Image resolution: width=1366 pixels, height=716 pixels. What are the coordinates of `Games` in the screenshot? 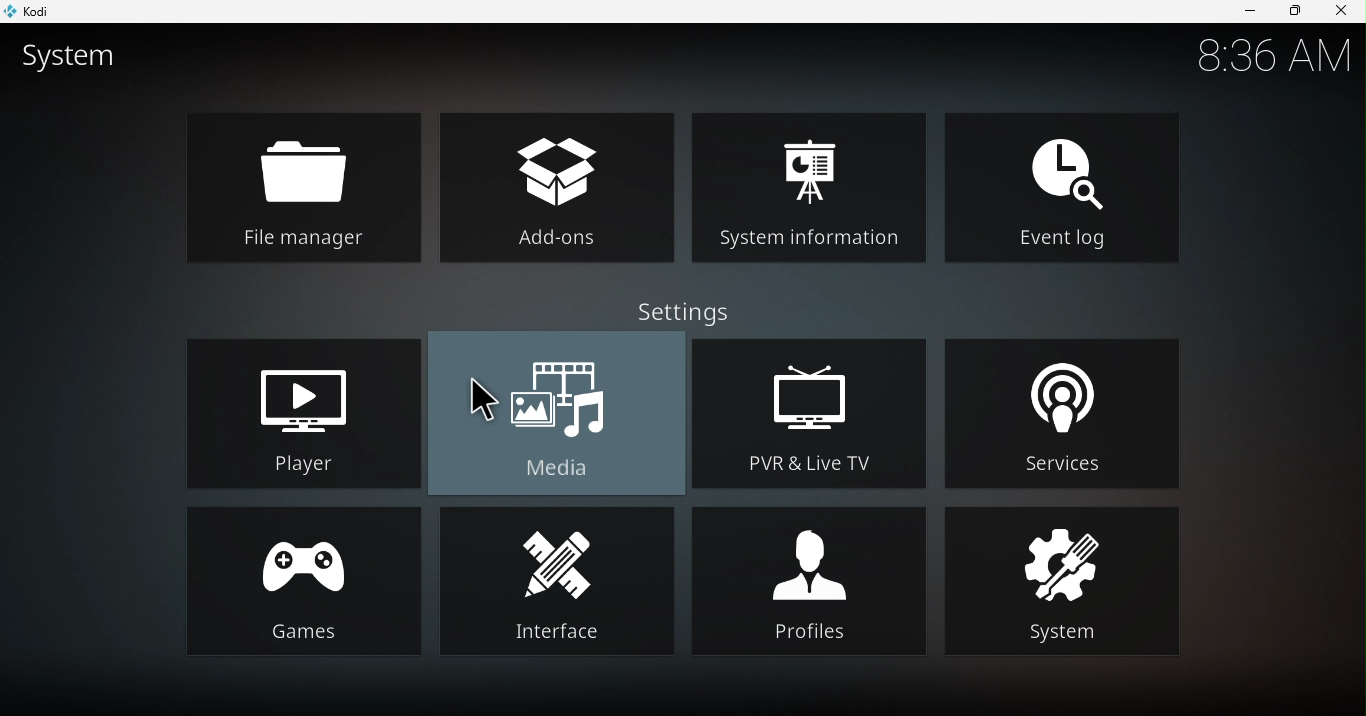 It's located at (299, 576).